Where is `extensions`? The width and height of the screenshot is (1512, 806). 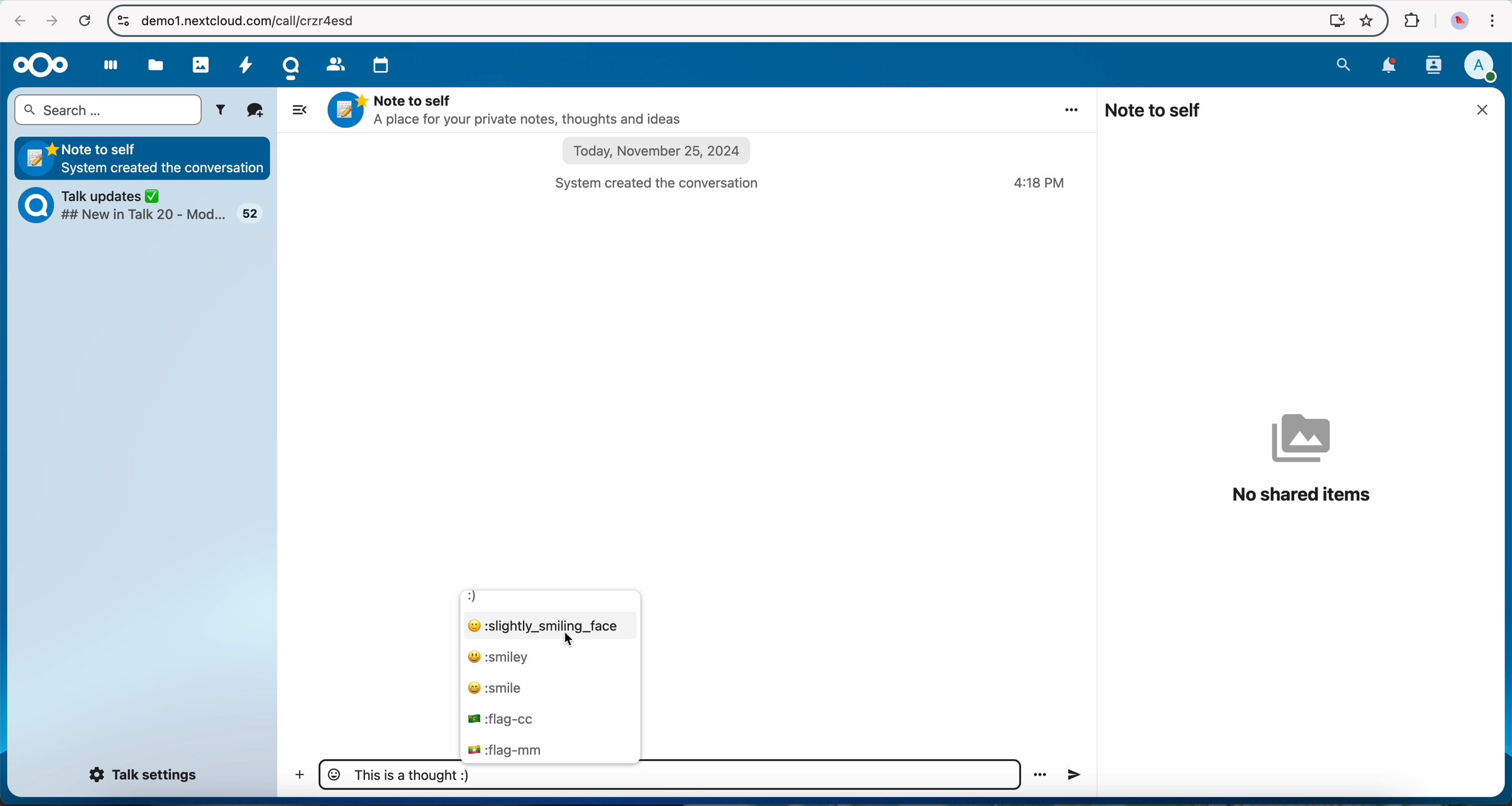 extensions is located at coordinates (1412, 21).